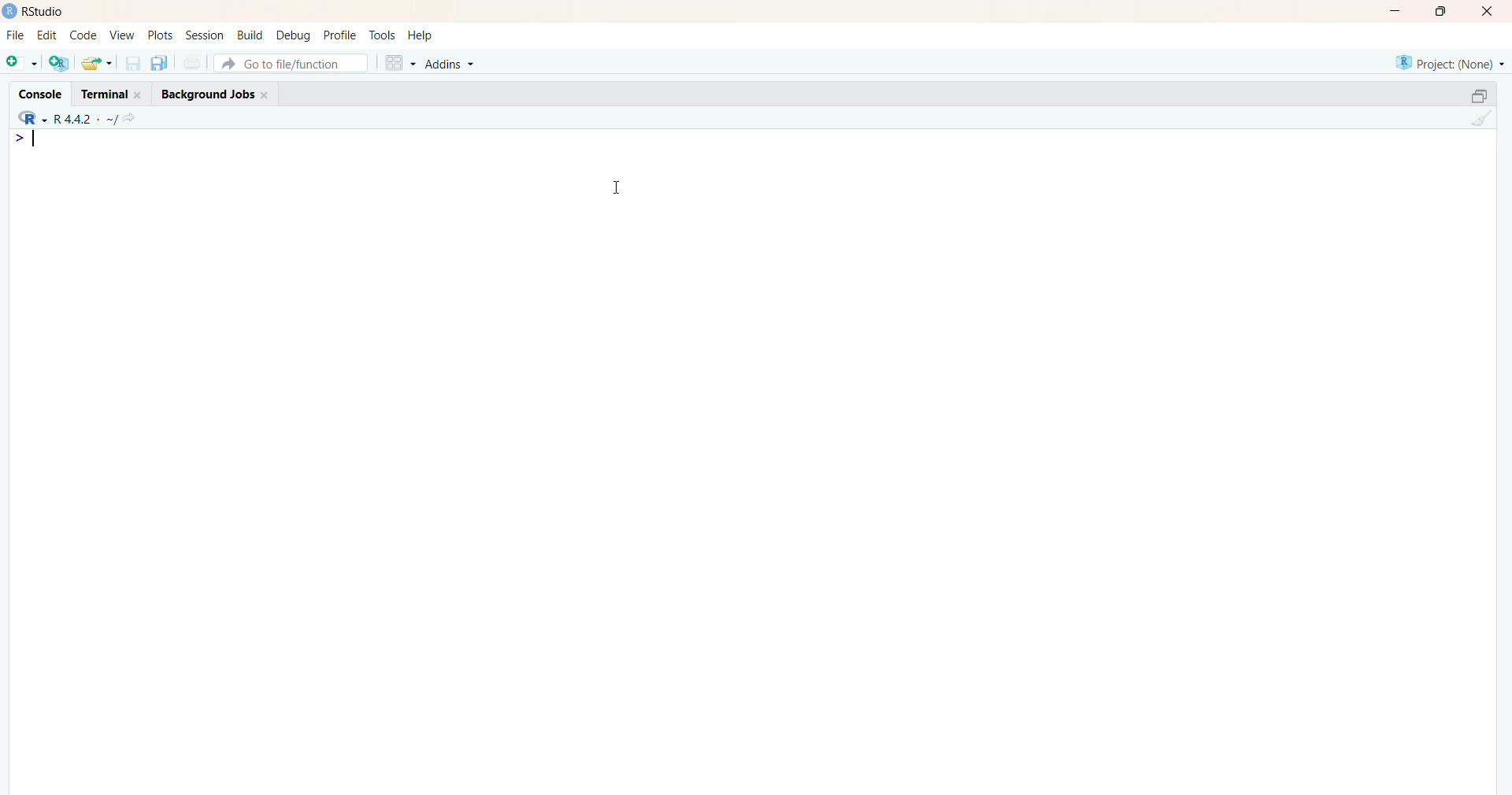 Image resolution: width=1512 pixels, height=795 pixels. I want to click on help, so click(421, 35).